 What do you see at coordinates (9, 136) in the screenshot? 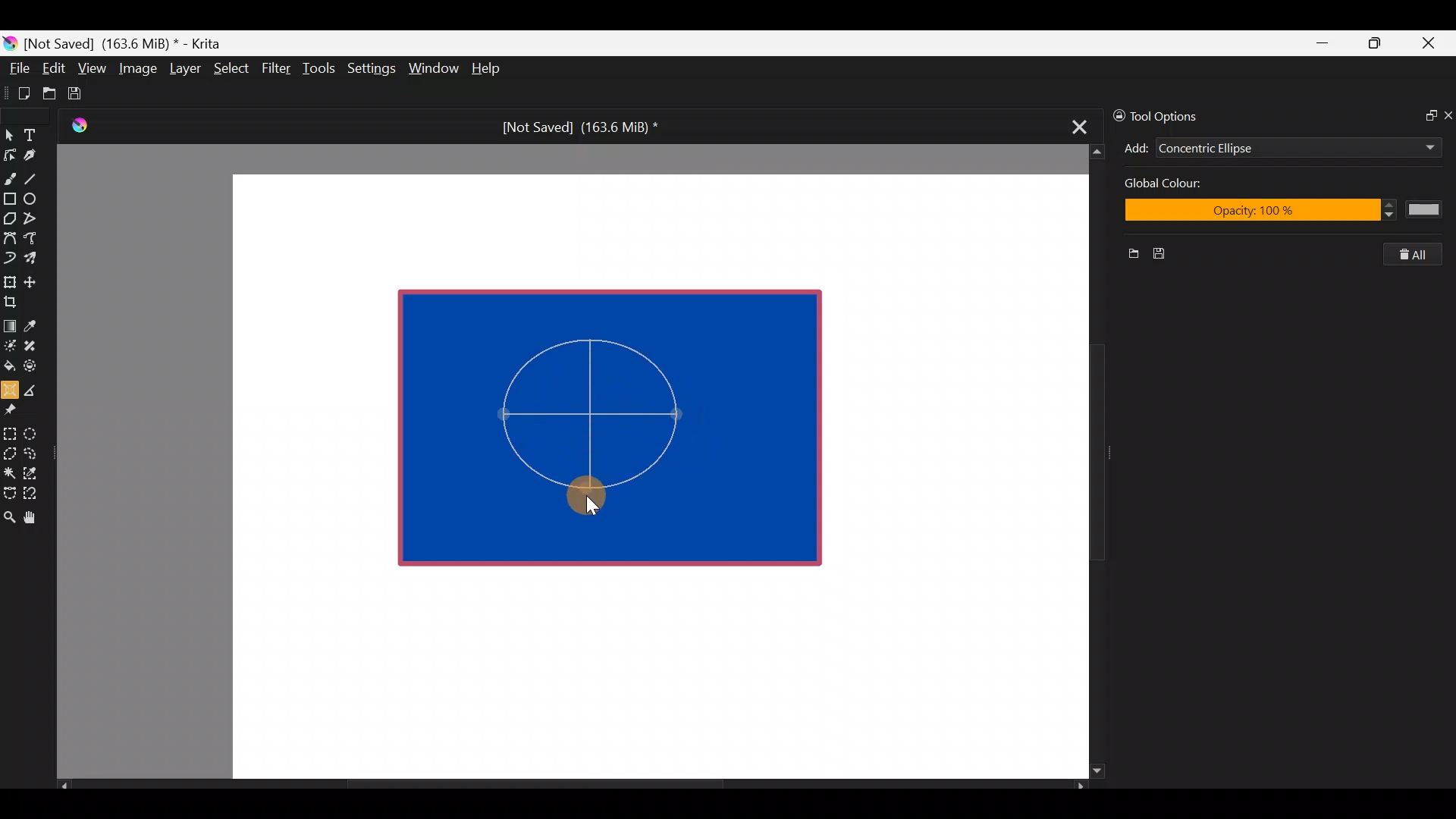
I see `Select shapes tool` at bounding box center [9, 136].